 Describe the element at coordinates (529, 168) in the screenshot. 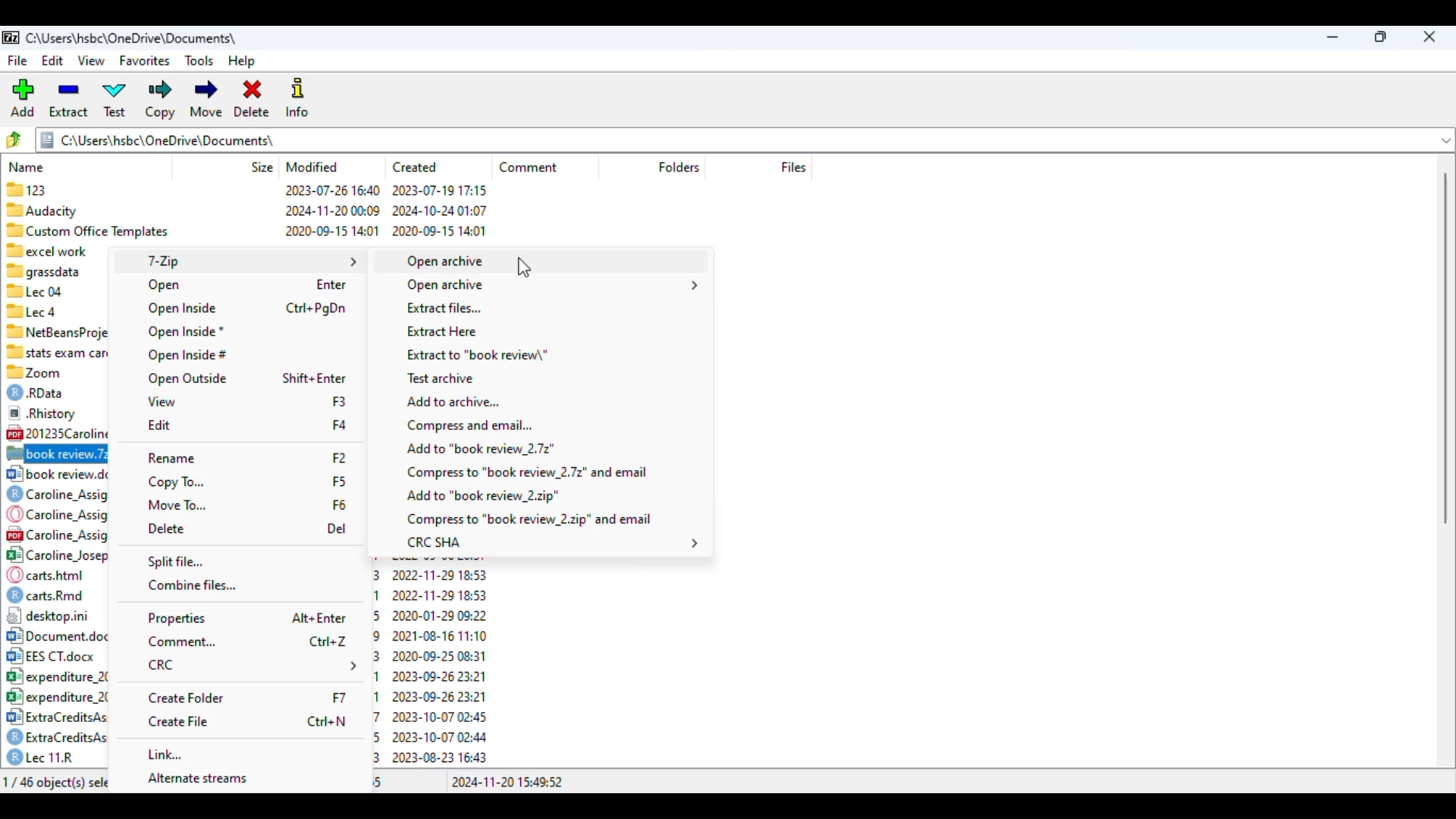

I see `comment` at that location.